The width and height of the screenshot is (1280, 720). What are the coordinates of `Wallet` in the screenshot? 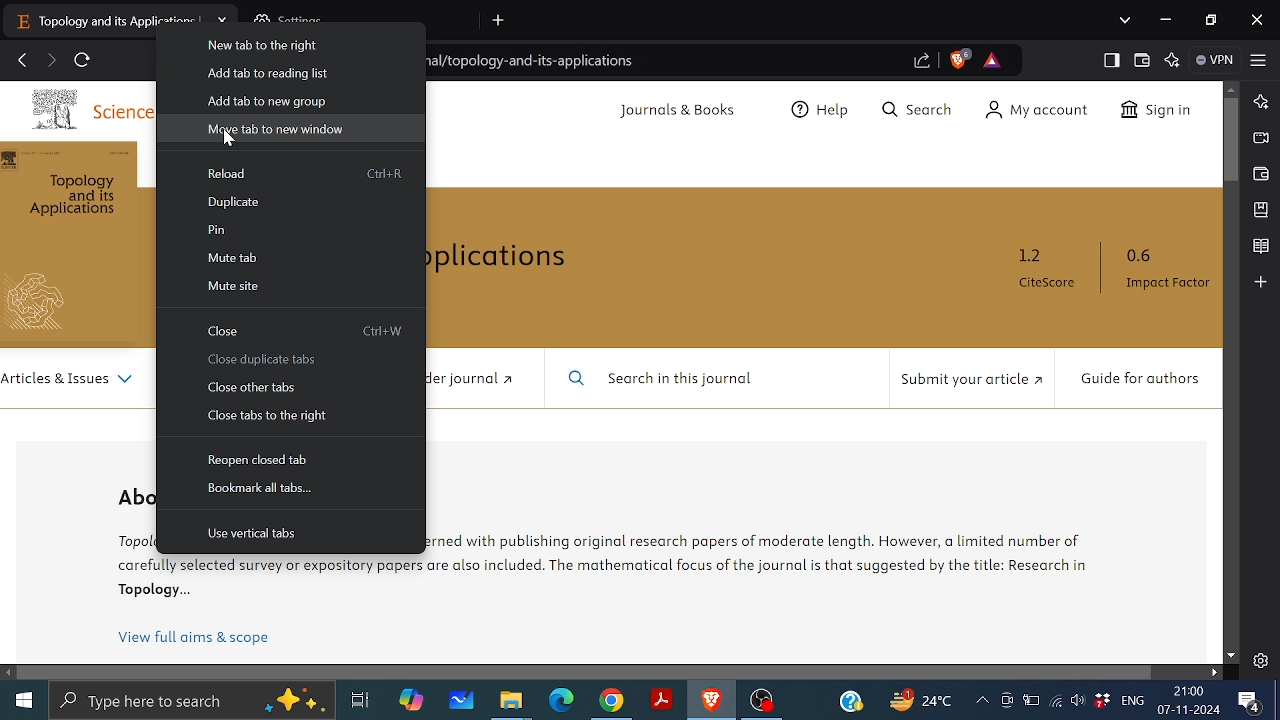 It's located at (1141, 60).